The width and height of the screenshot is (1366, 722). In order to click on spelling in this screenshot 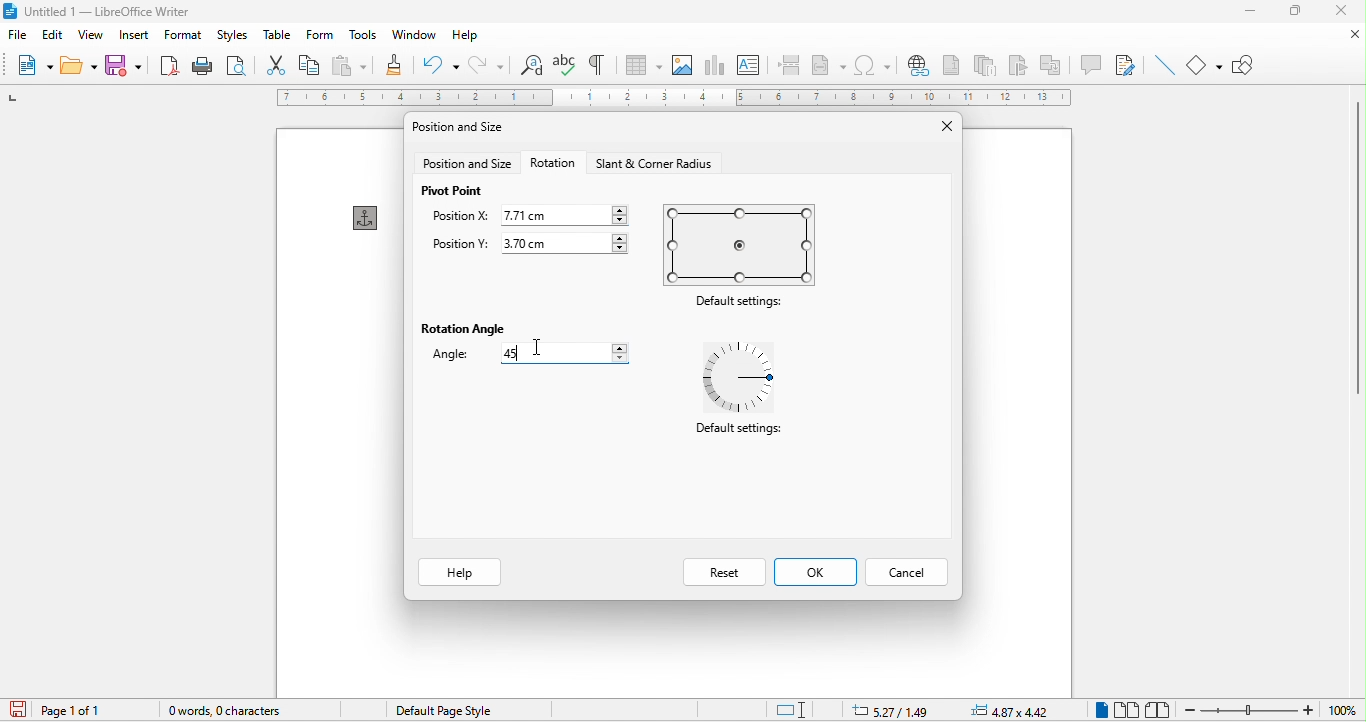, I will do `click(564, 65)`.